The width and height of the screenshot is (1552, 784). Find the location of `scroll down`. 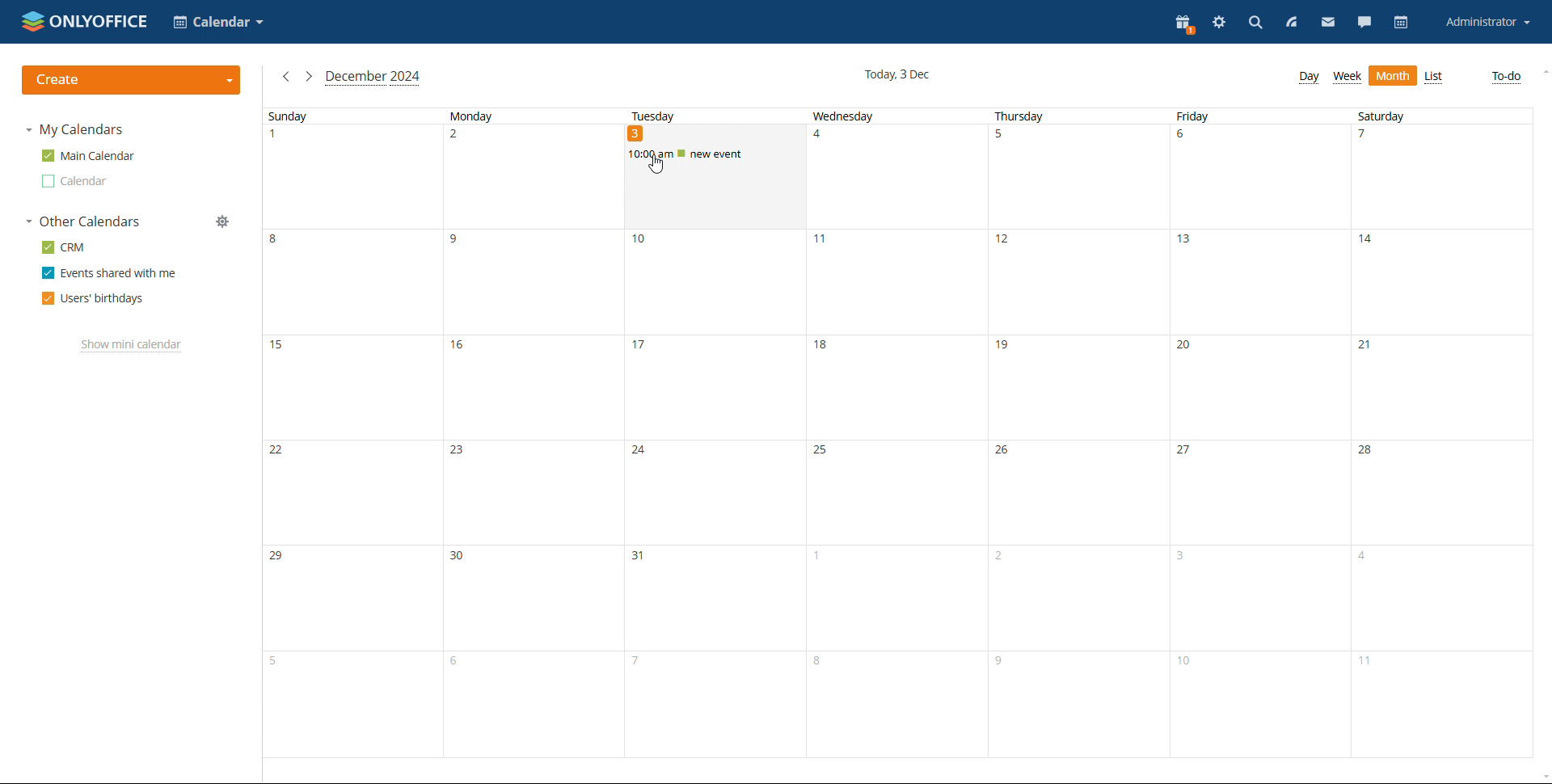

scroll down is located at coordinates (1542, 778).